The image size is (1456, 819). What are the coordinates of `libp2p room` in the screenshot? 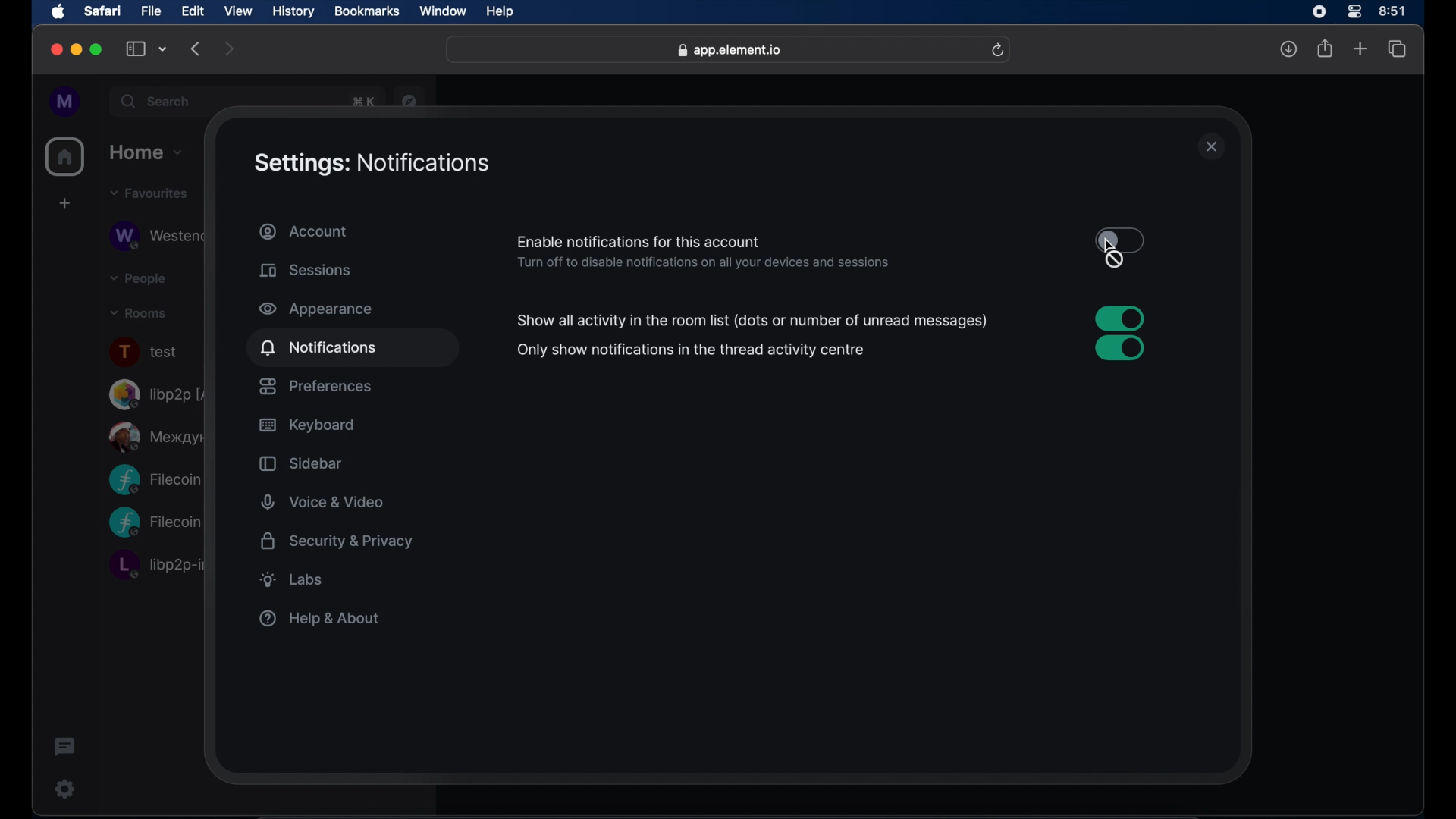 It's located at (159, 394).